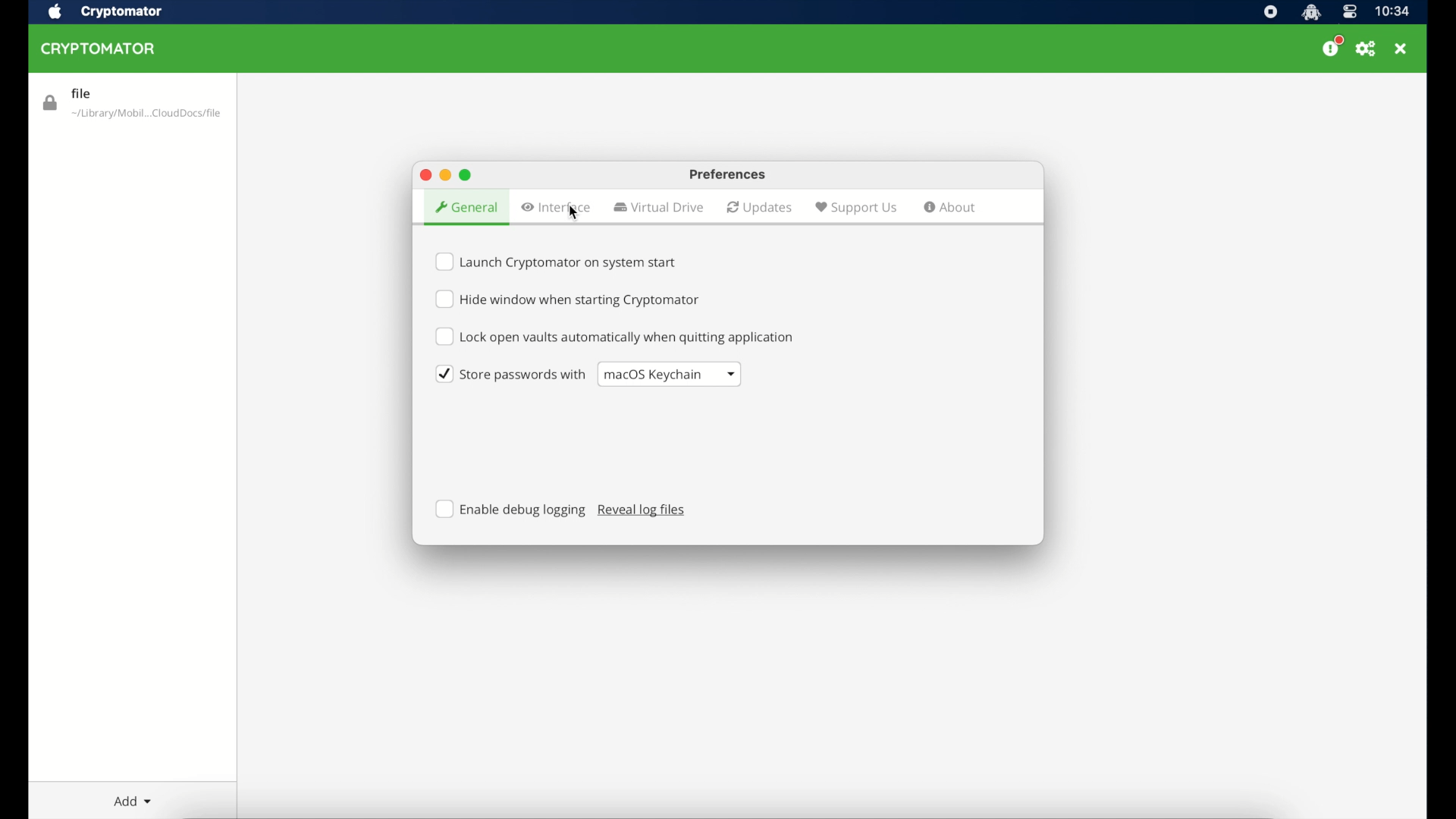 Image resolution: width=1456 pixels, height=819 pixels. Describe the element at coordinates (466, 175) in the screenshot. I see `maximize` at that location.